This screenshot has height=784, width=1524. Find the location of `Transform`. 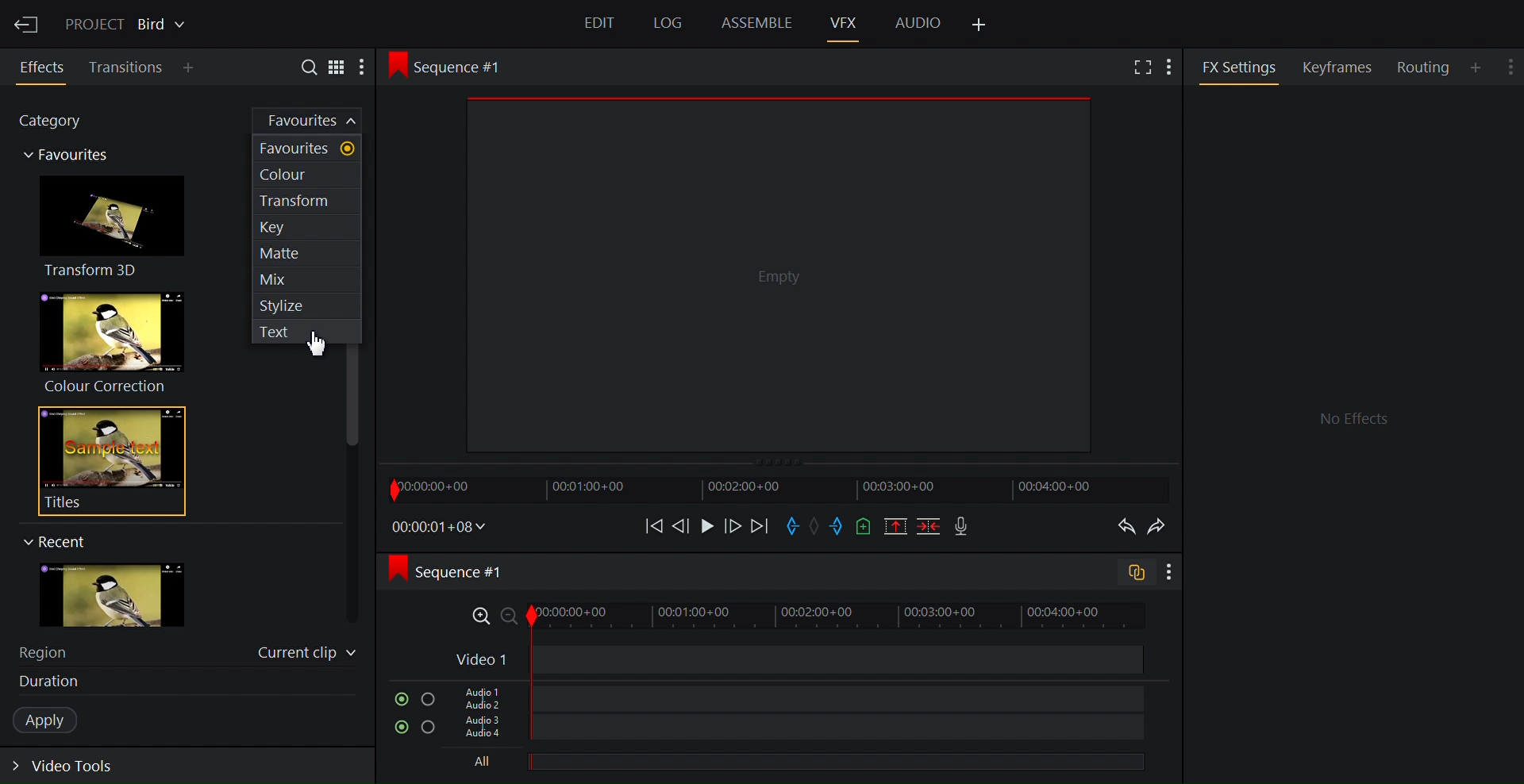

Transform is located at coordinates (306, 201).